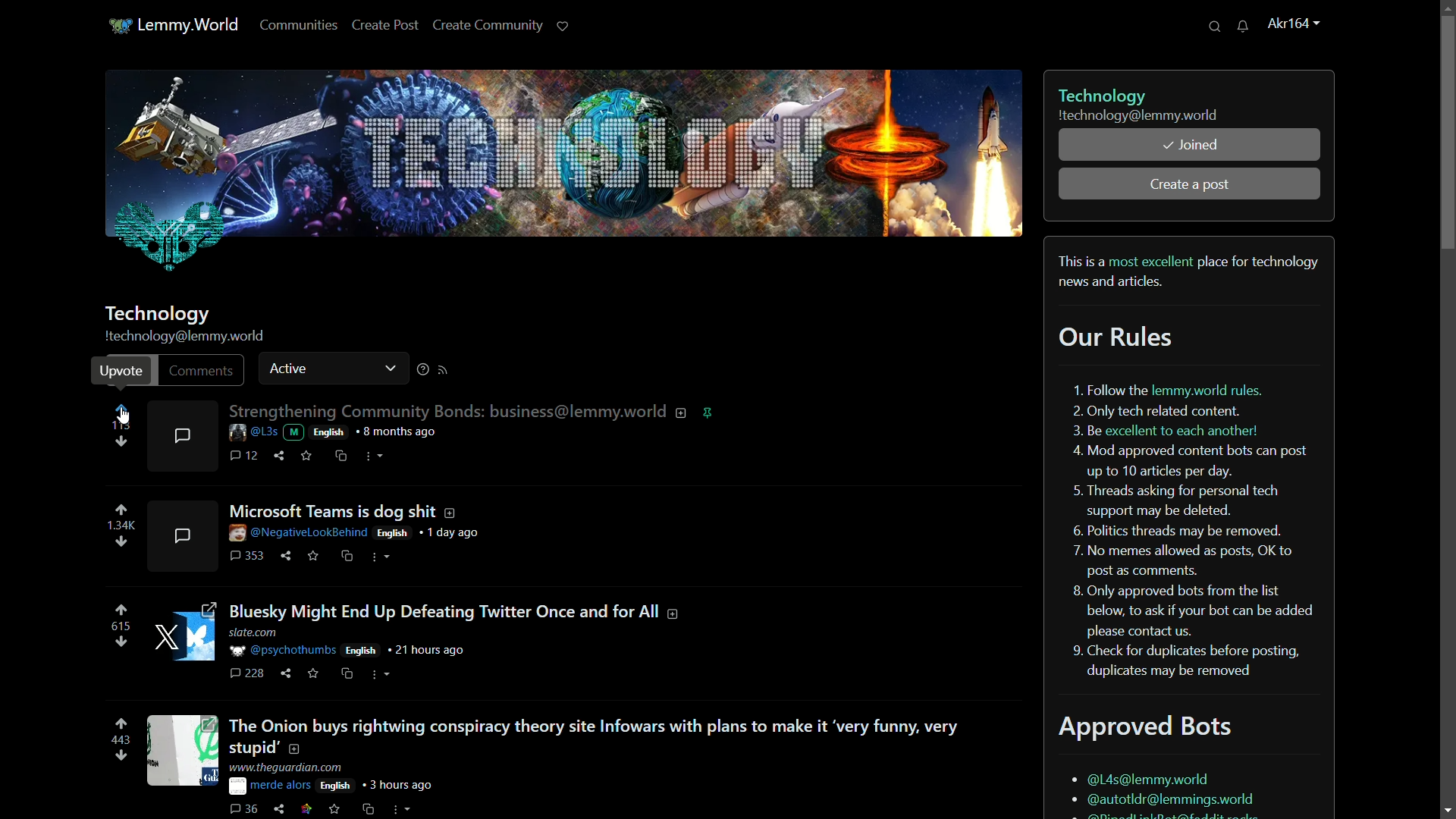 This screenshot has height=819, width=1456. What do you see at coordinates (119, 27) in the screenshot?
I see `app icon` at bounding box center [119, 27].